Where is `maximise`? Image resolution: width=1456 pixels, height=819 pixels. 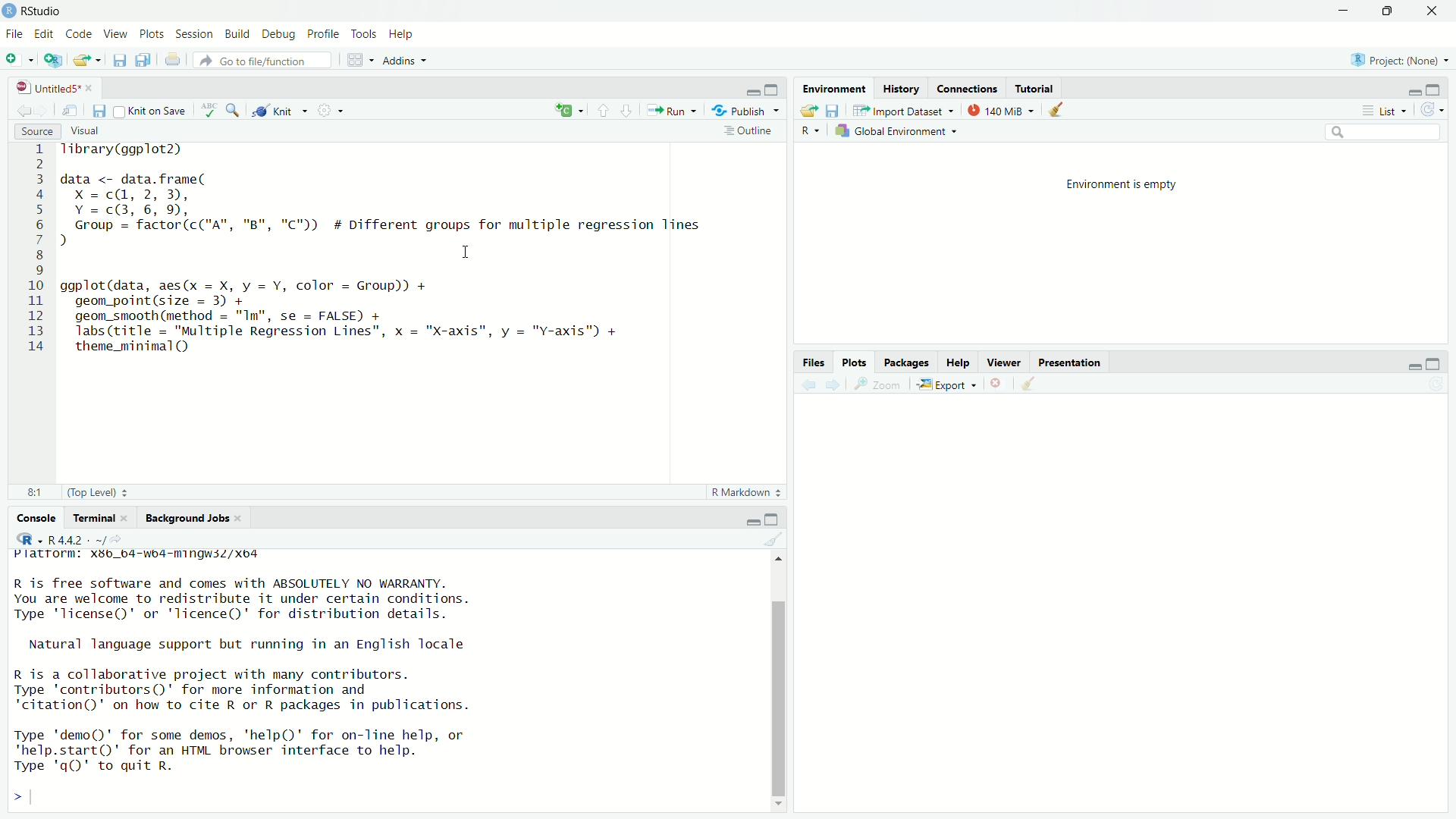
maximise is located at coordinates (780, 517).